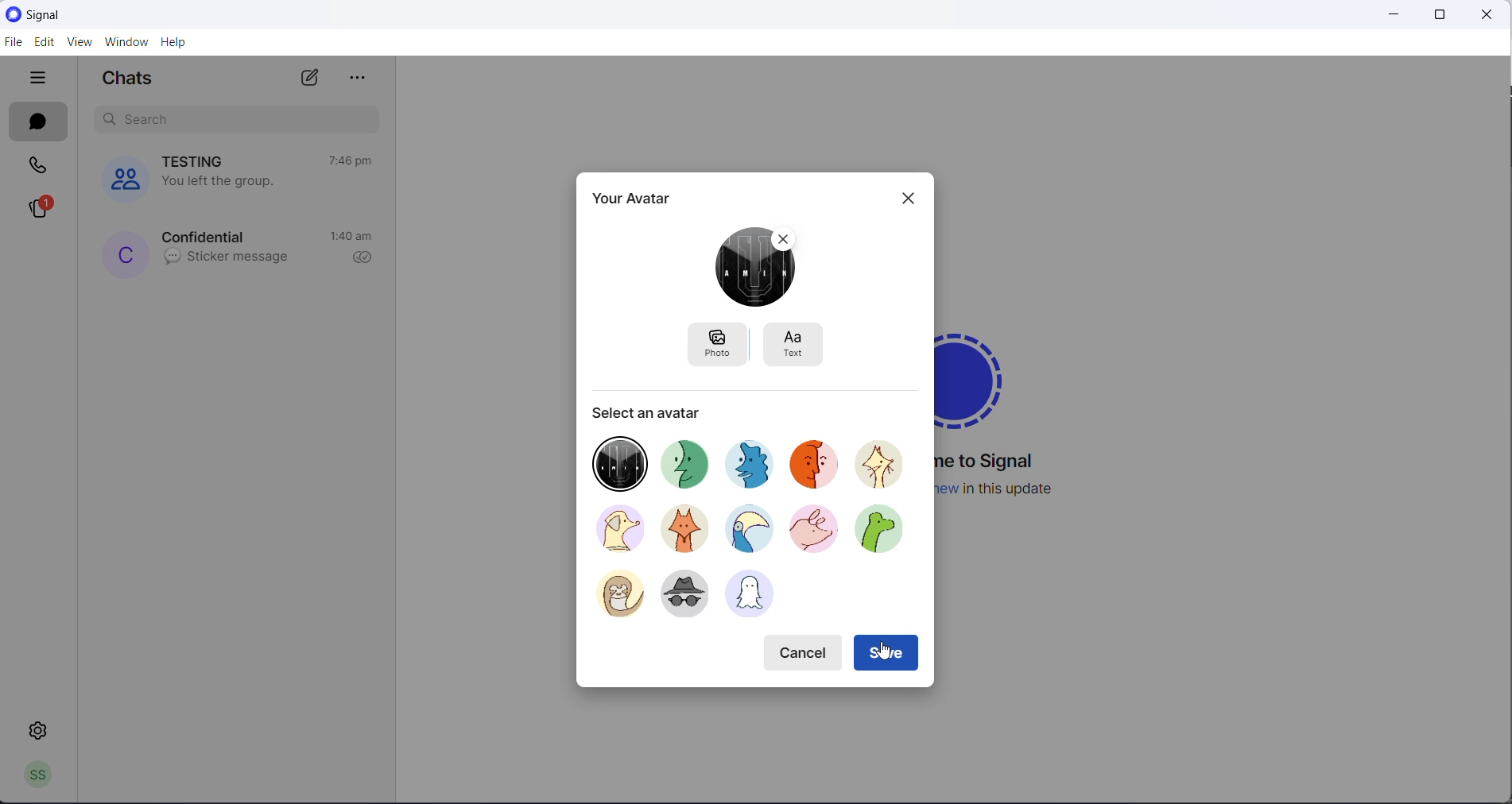 Image resolution: width=1512 pixels, height=804 pixels. Describe the element at coordinates (41, 79) in the screenshot. I see `close tabs` at that location.